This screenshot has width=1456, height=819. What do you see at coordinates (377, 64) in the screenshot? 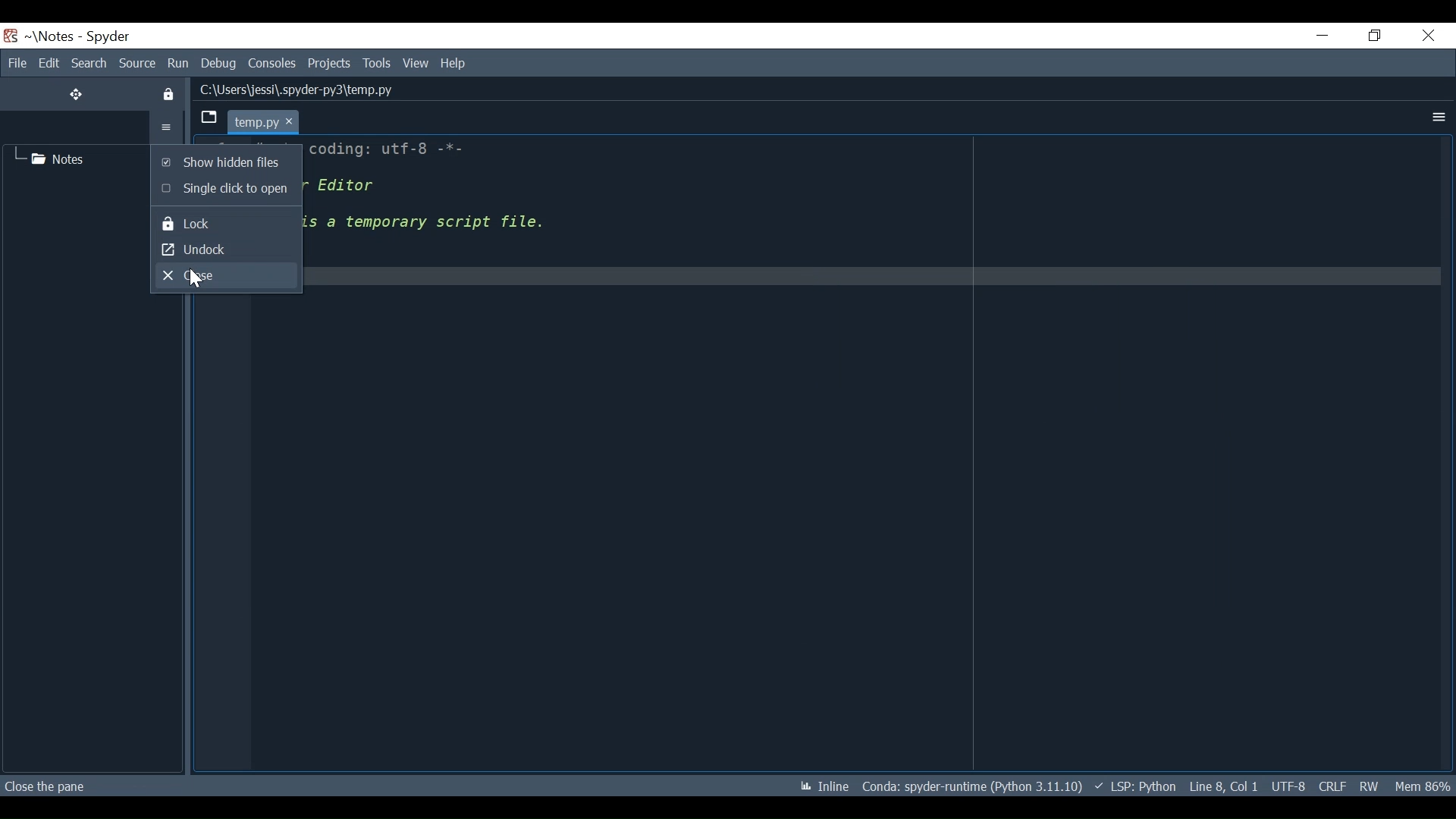
I see `Tools` at bounding box center [377, 64].